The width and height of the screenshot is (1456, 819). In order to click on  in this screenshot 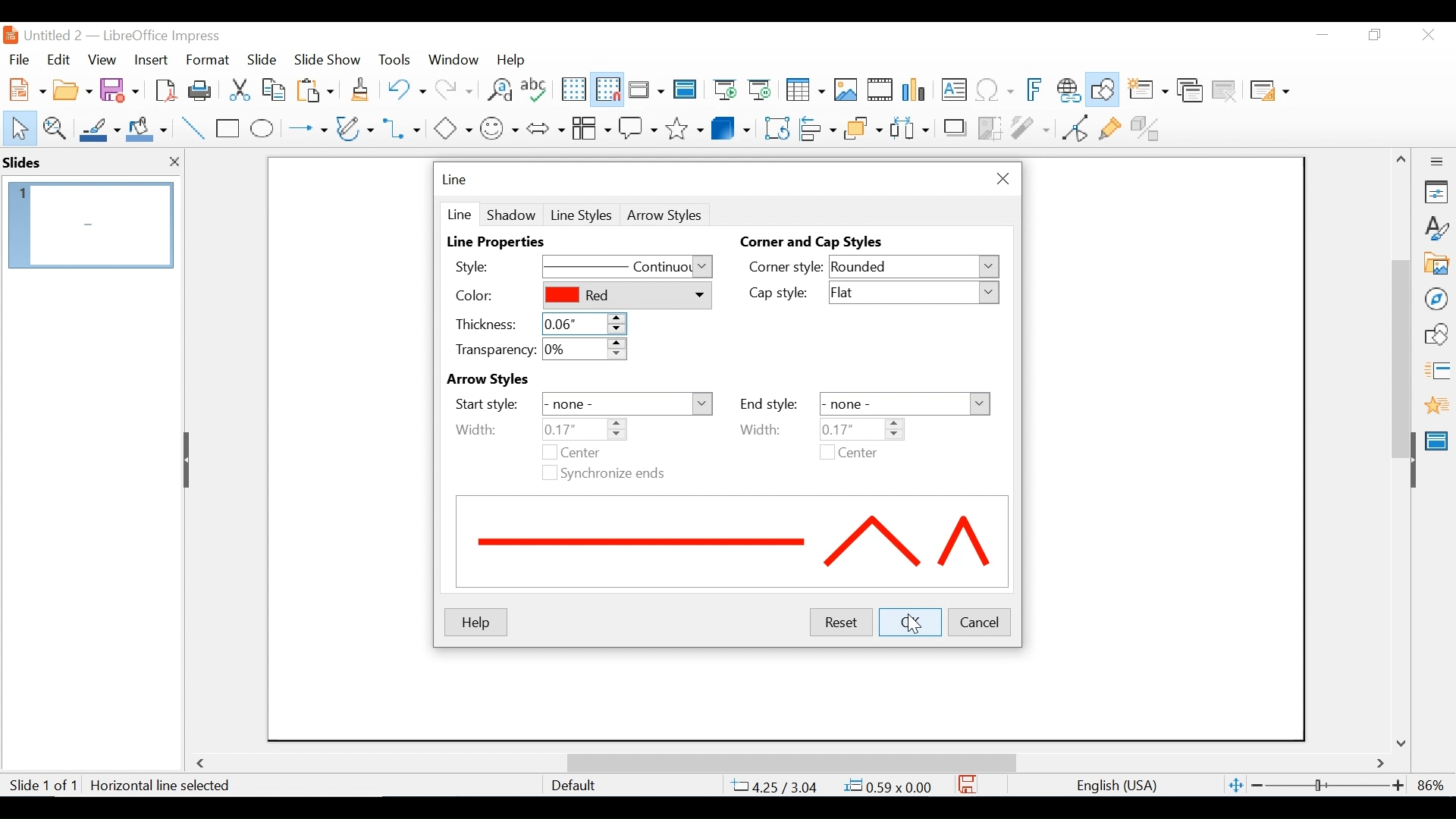, I will do `click(591, 127)`.